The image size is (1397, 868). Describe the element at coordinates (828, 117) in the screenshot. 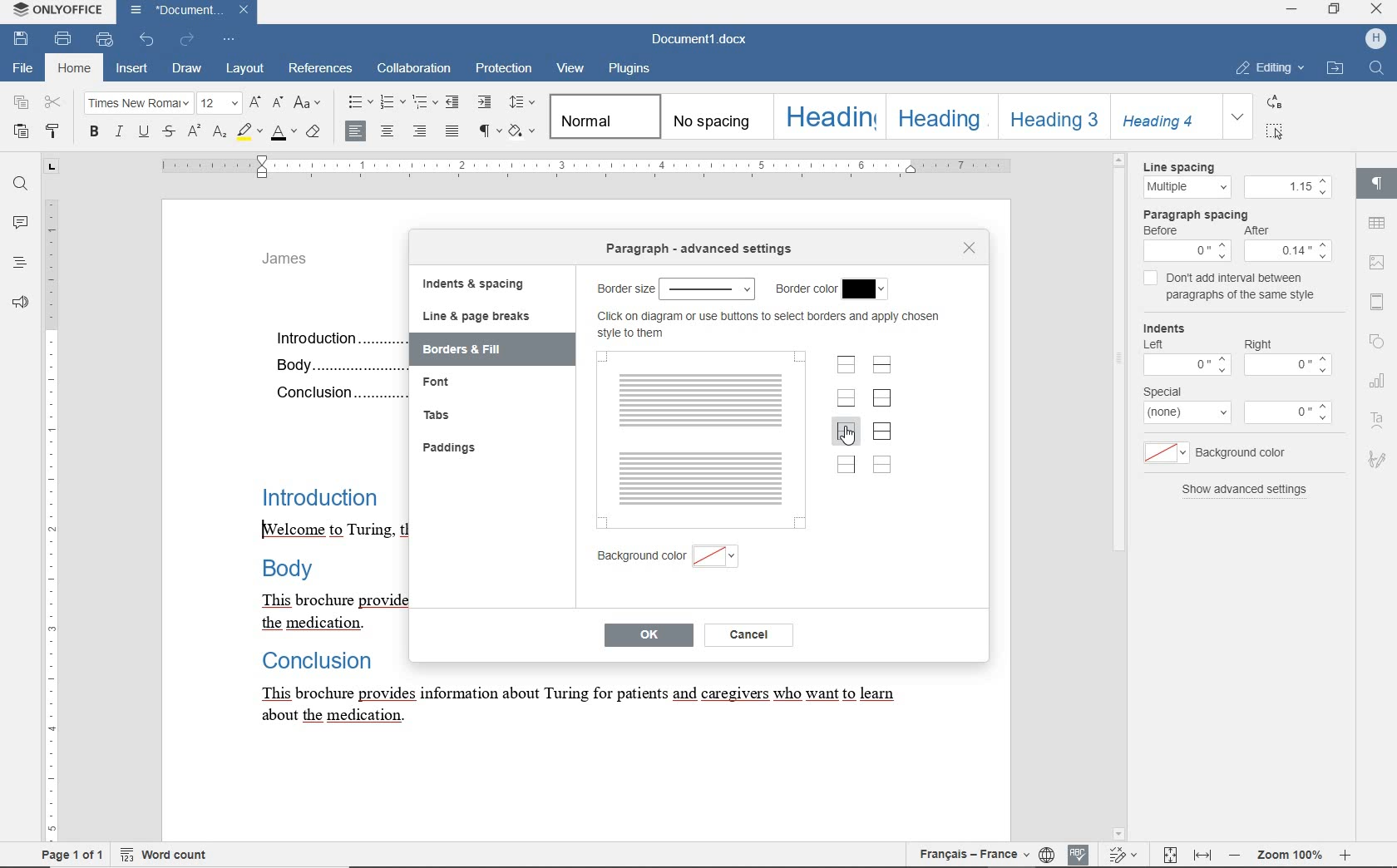

I see `heading 1` at that location.